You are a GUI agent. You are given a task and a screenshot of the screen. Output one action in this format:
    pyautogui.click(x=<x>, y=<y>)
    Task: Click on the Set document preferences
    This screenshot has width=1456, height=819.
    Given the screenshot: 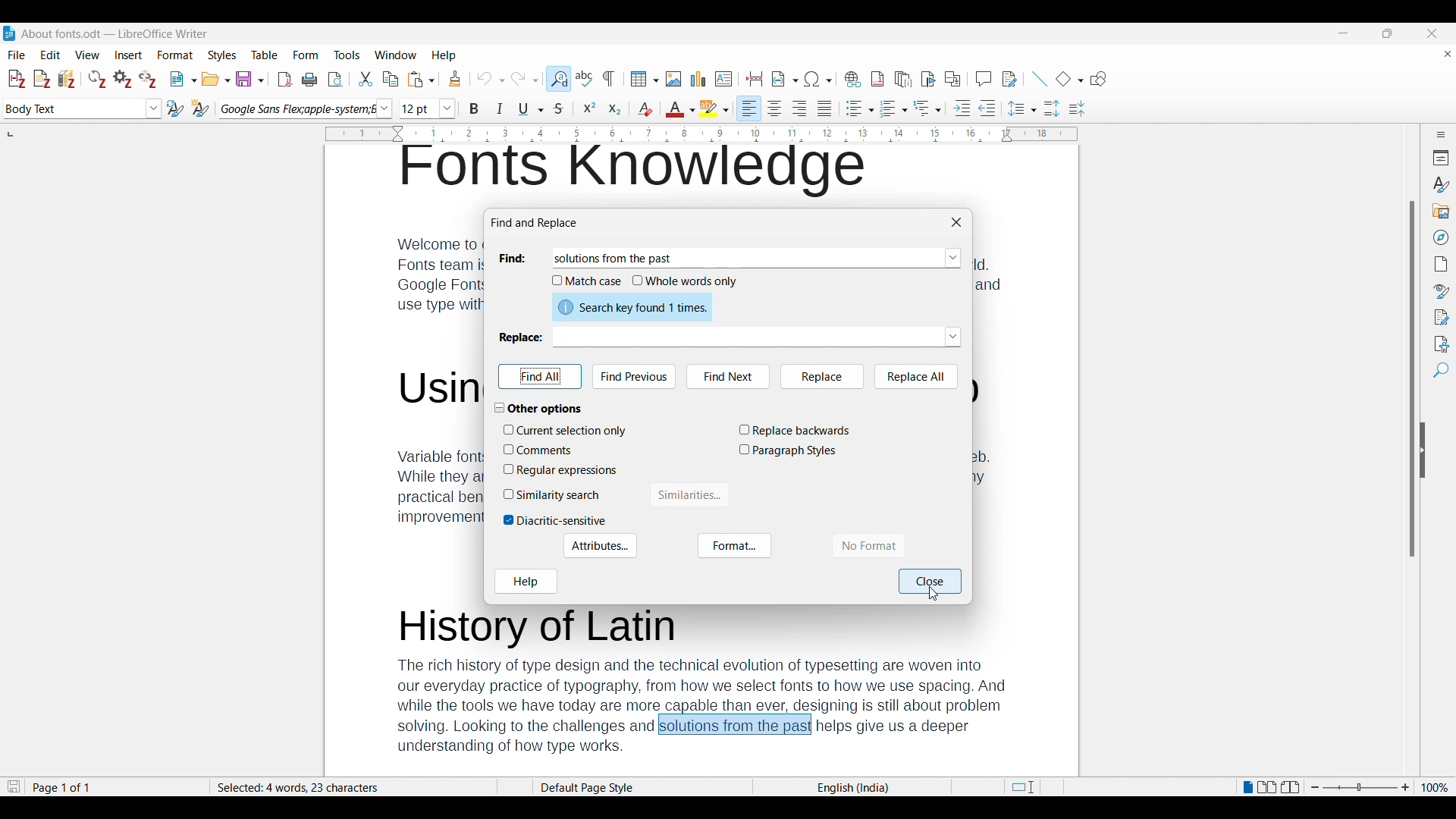 What is the action you would take?
    pyautogui.click(x=124, y=78)
    